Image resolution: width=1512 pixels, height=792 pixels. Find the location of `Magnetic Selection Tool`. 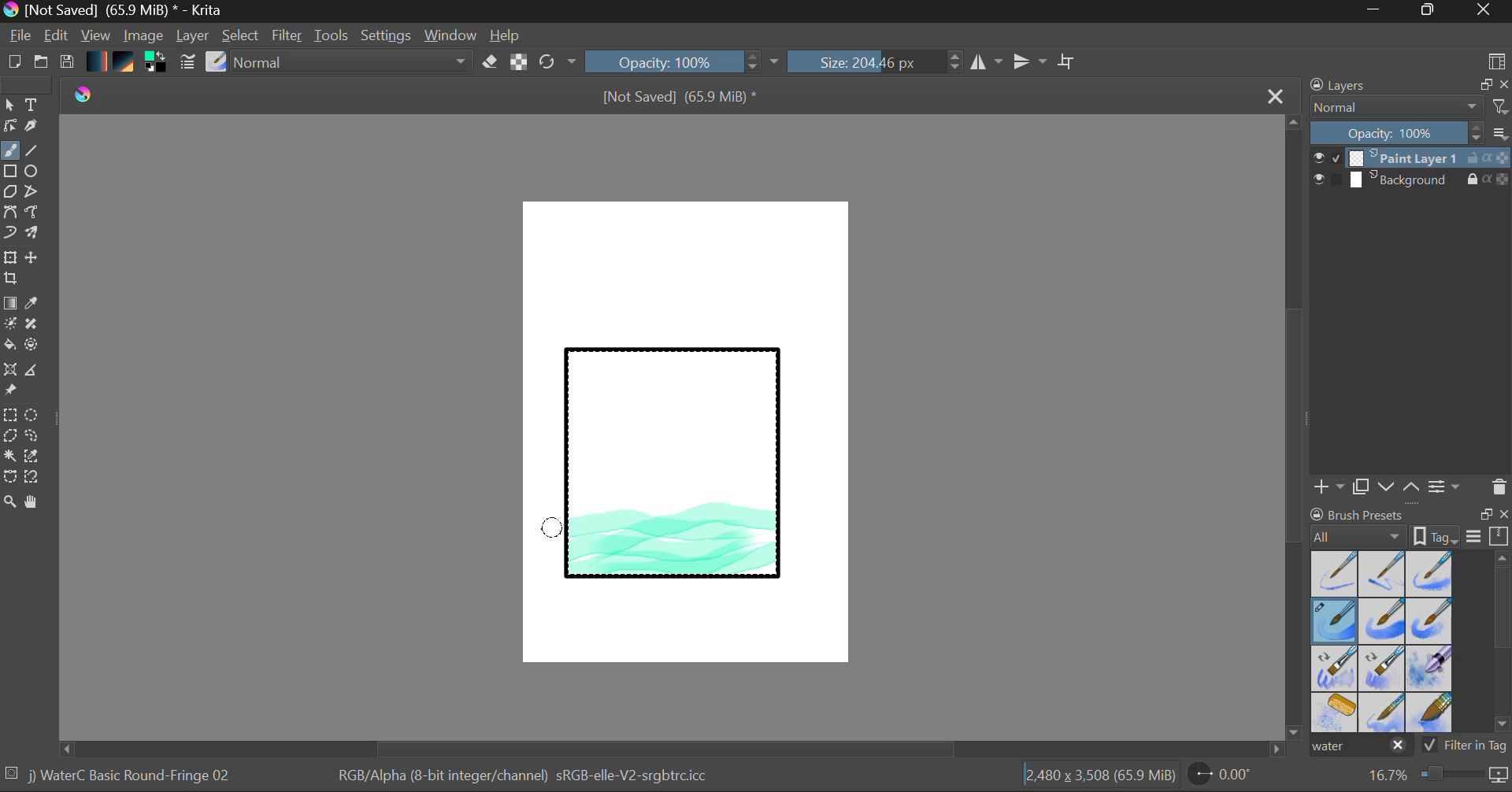

Magnetic Selection Tool is located at coordinates (32, 477).